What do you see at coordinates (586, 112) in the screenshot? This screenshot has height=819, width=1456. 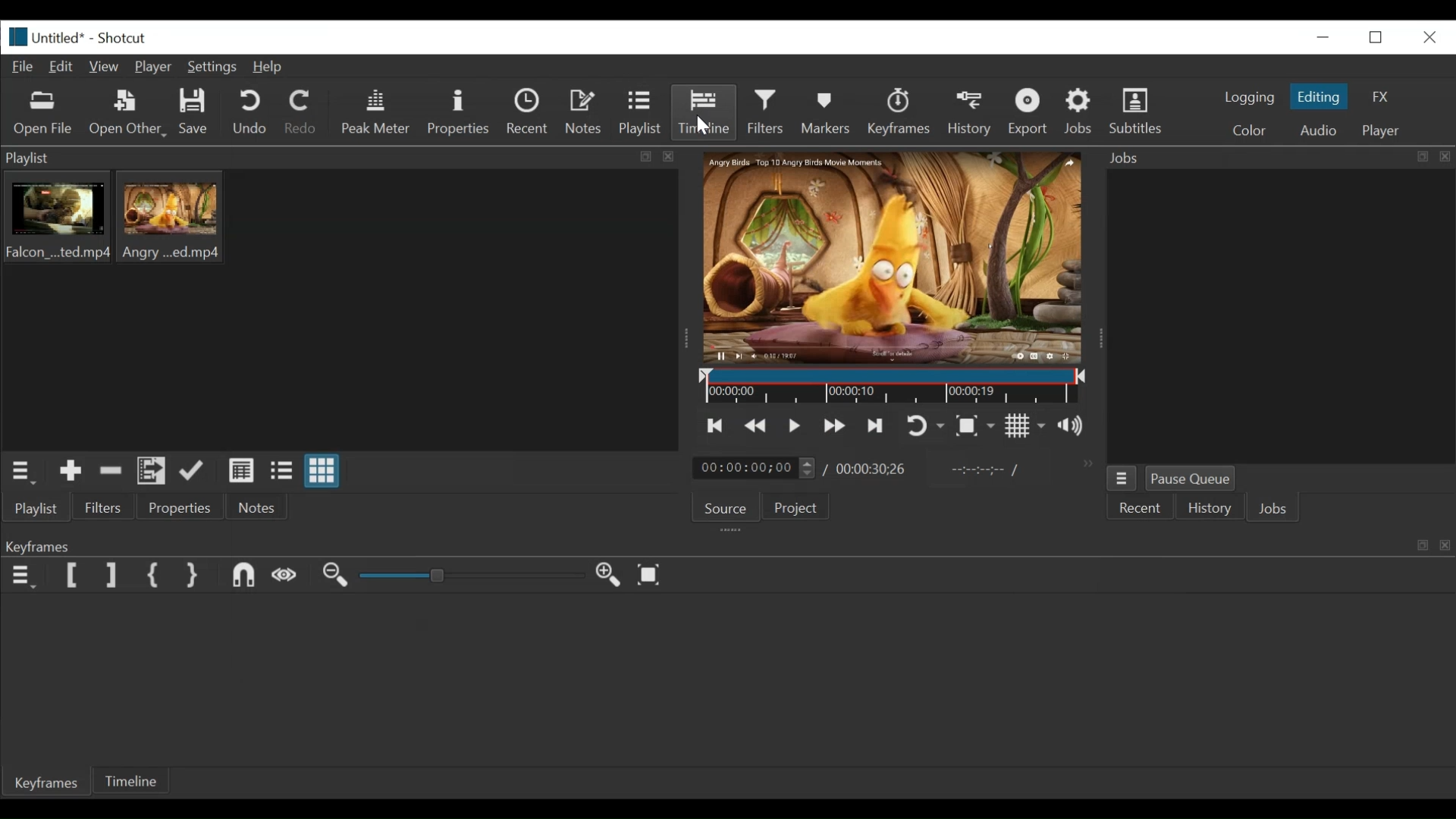 I see `Notes` at bounding box center [586, 112].